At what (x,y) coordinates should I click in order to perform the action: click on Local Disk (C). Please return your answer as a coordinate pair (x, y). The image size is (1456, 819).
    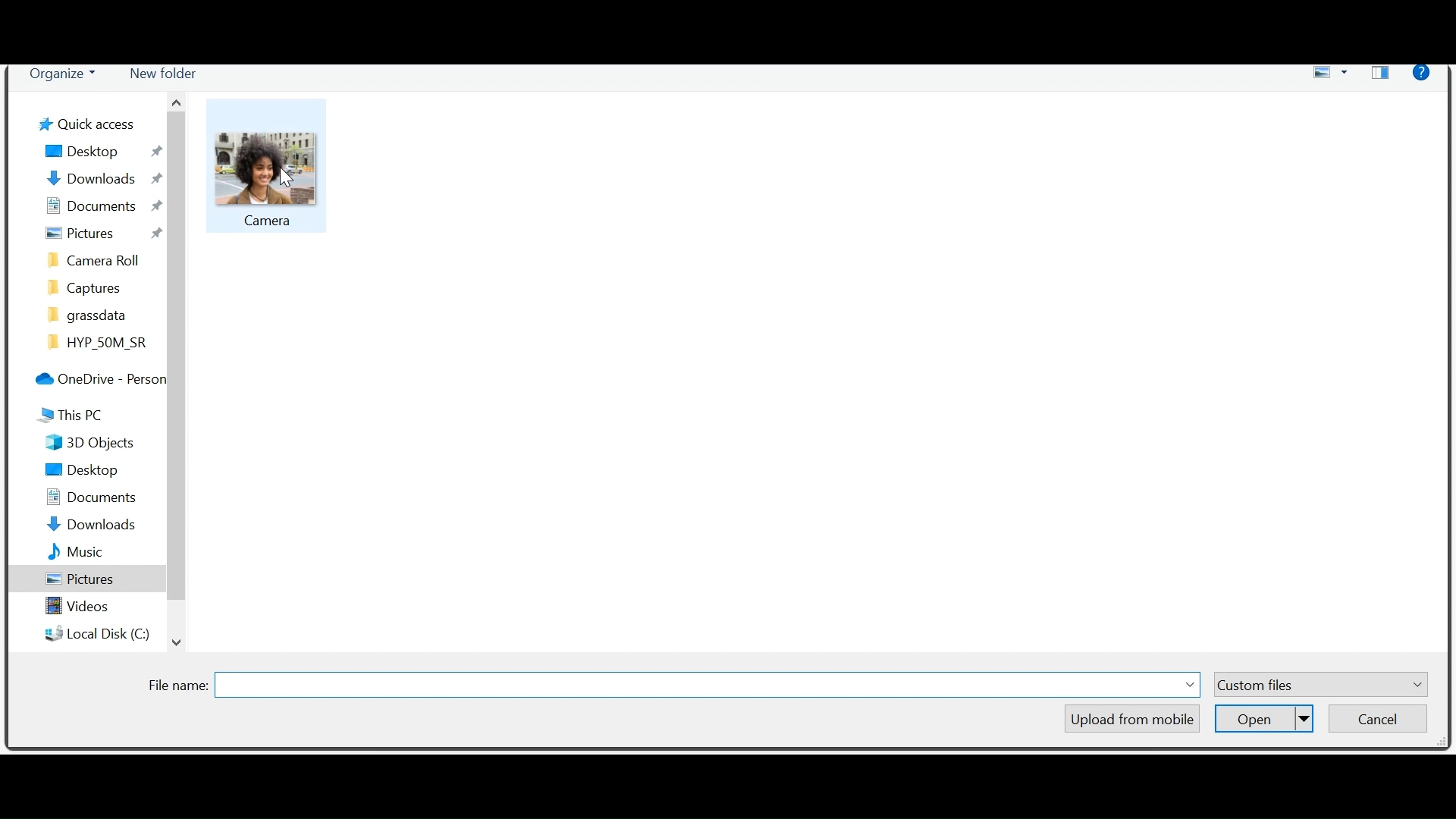
    Looking at the image, I should click on (95, 634).